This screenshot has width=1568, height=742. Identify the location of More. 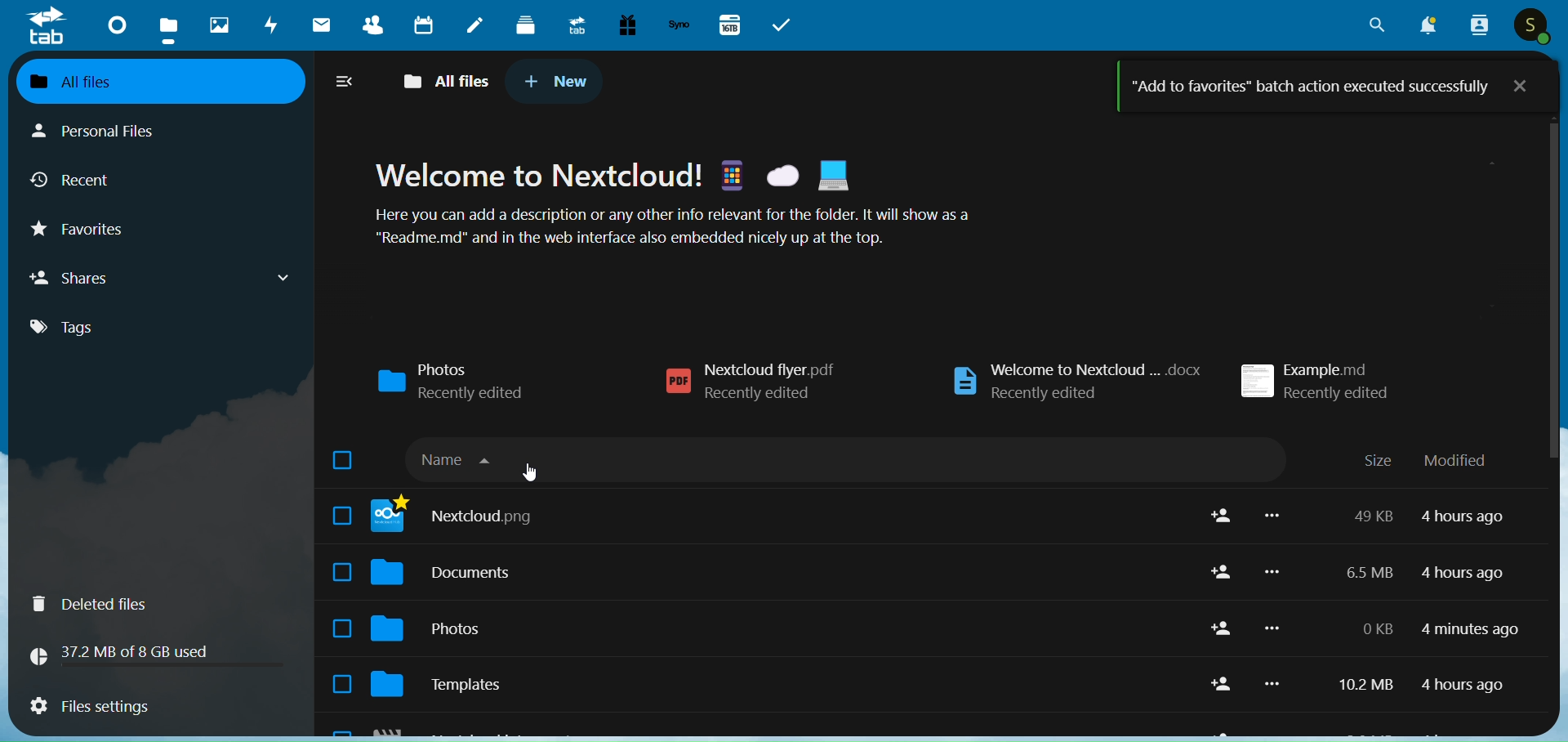
(1272, 628).